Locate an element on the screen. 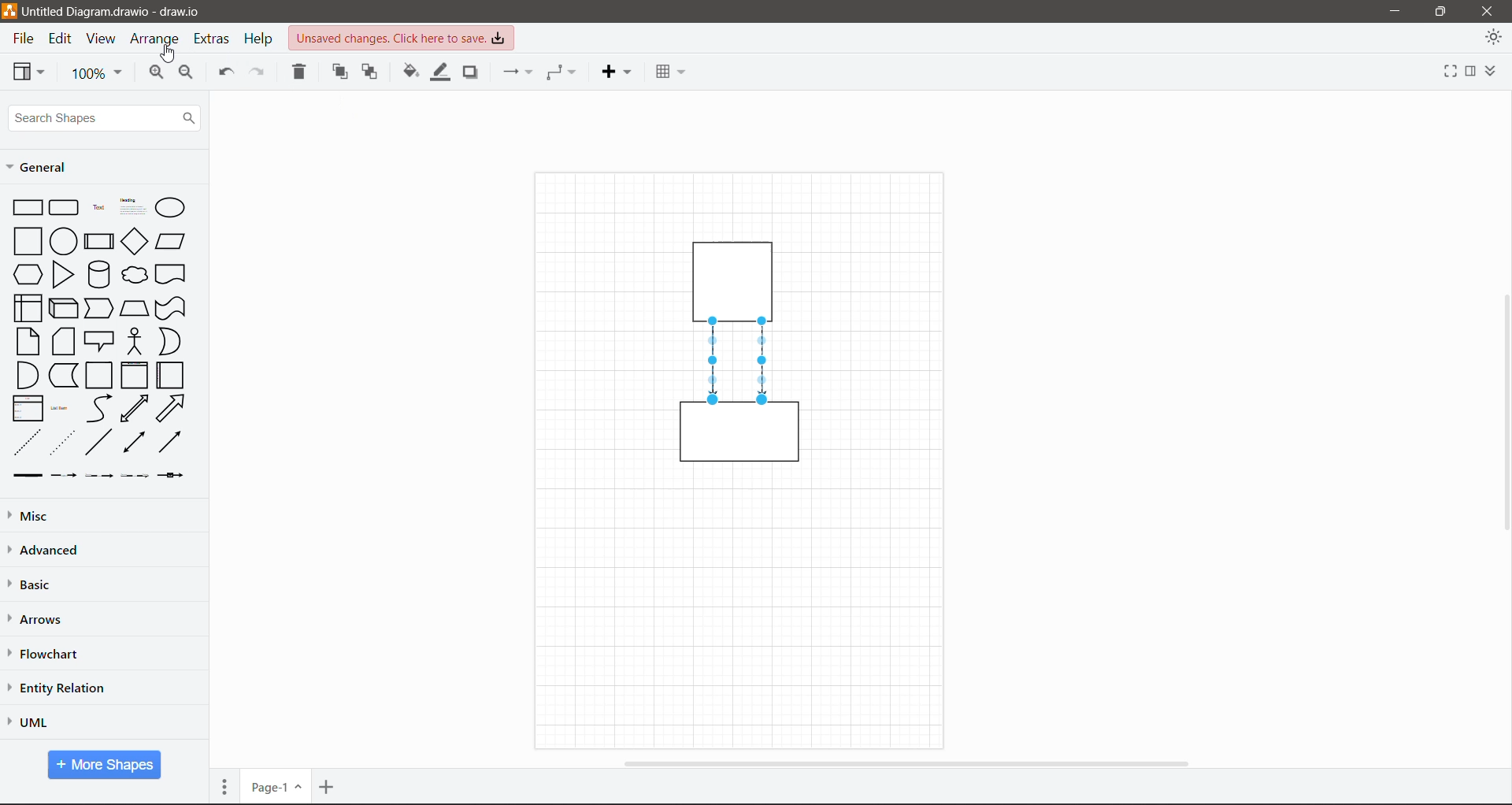 The width and height of the screenshot is (1512, 805). Ellipse is located at coordinates (170, 208).